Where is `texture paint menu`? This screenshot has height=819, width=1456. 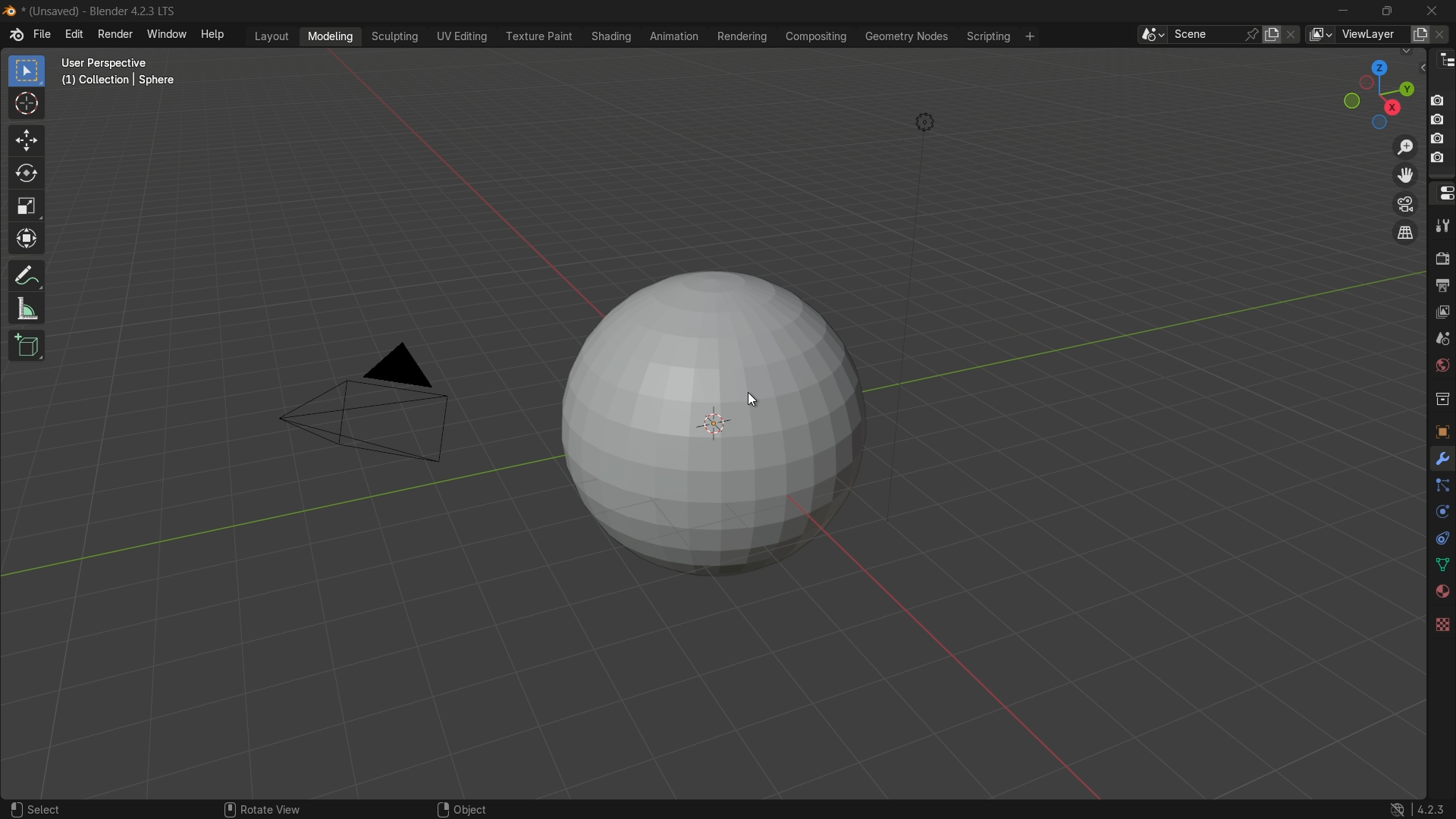 texture paint menu is located at coordinates (538, 36).